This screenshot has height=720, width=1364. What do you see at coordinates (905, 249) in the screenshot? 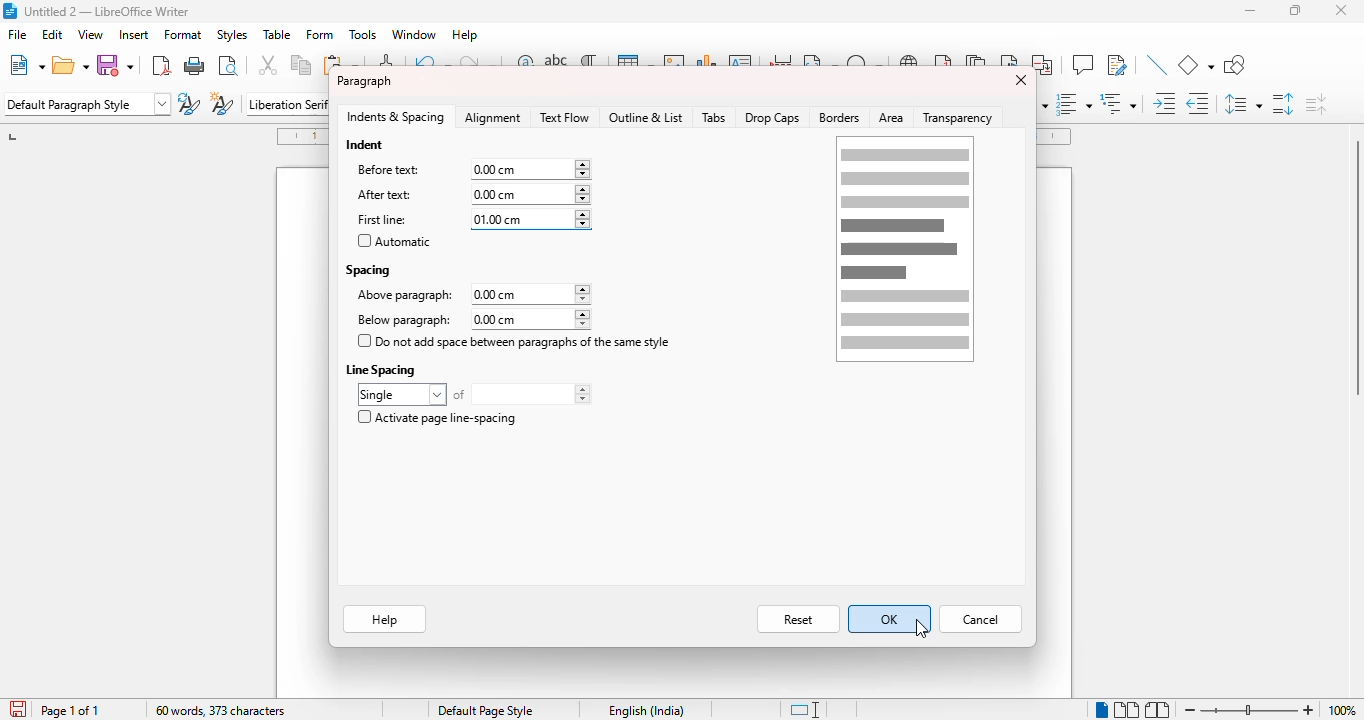
I see `preview box` at bounding box center [905, 249].